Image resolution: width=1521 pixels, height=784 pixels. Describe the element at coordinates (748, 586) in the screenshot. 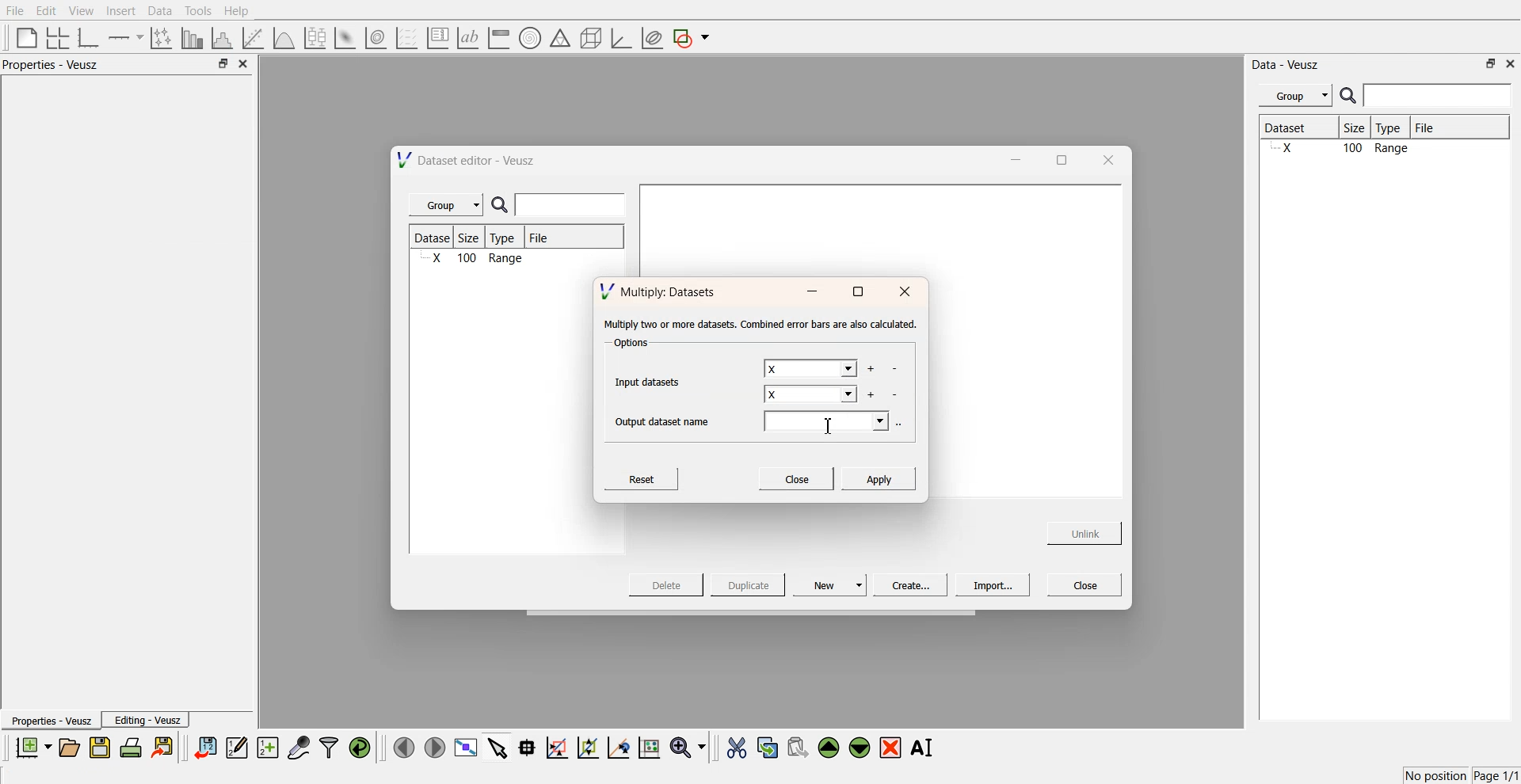

I see `Duplicate` at that location.